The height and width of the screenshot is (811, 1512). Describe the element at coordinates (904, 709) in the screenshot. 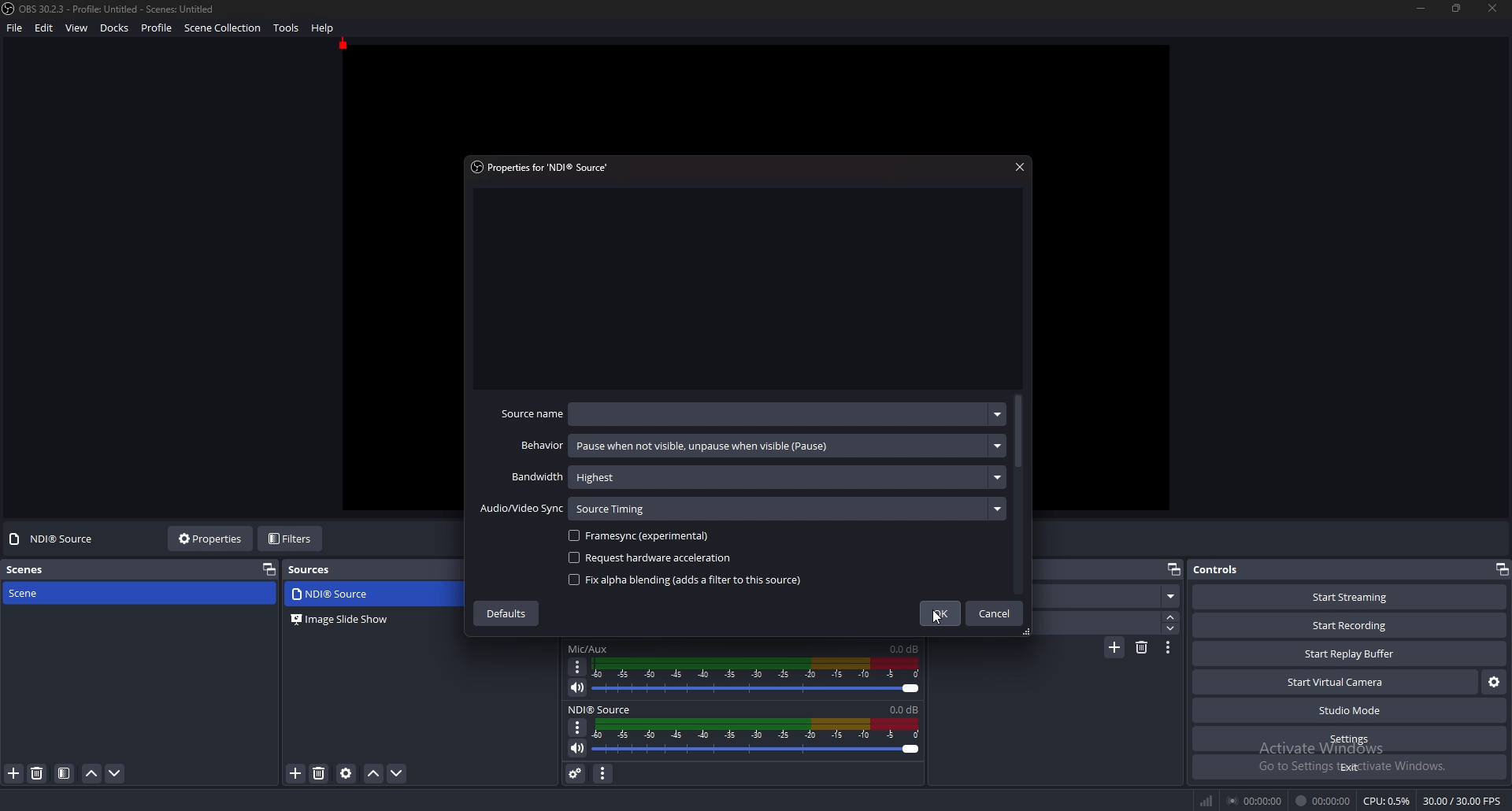

I see `0:08` at that location.